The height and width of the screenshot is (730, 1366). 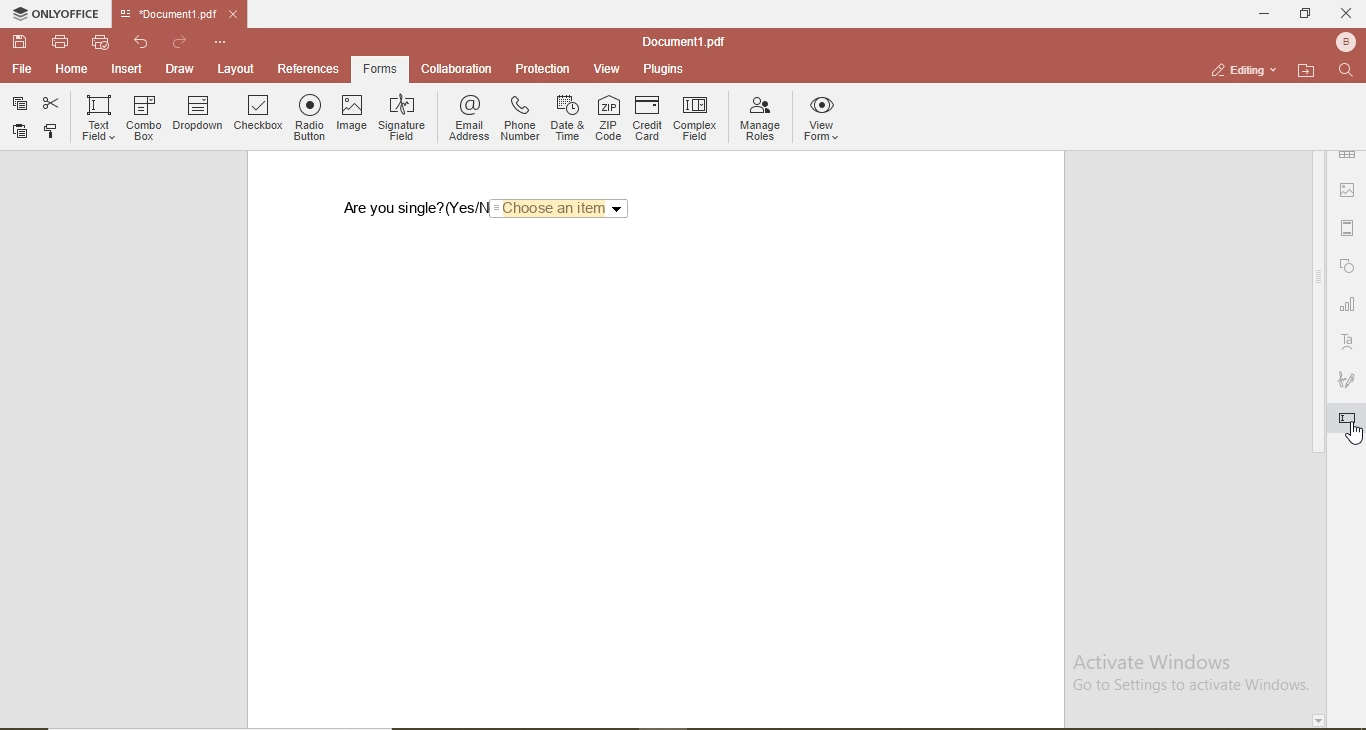 What do you see at coordinates (823, 120) in the screenshot?
I see `view forms` at bounding box center [823, 120].